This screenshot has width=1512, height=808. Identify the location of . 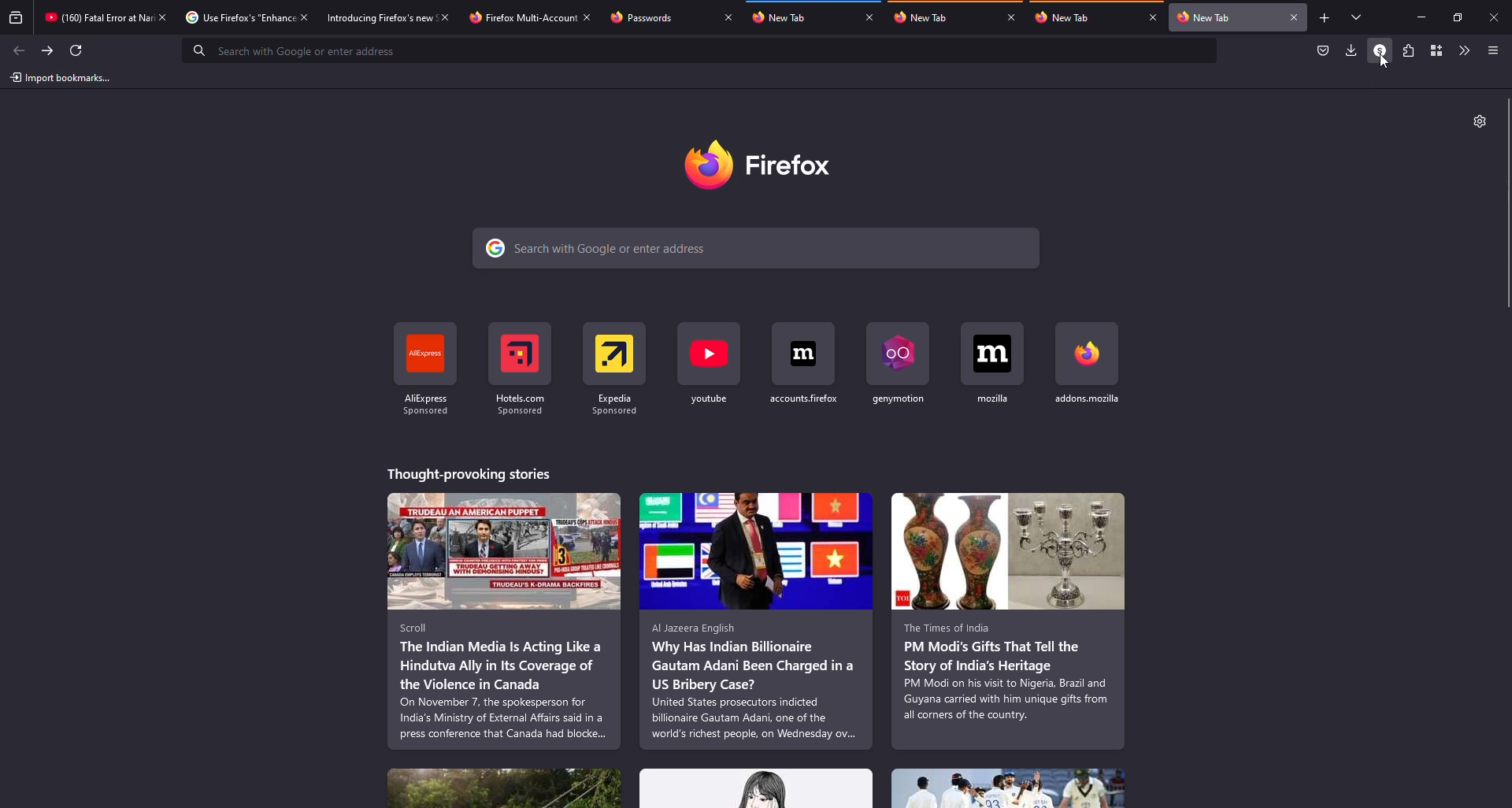
(17, 51).